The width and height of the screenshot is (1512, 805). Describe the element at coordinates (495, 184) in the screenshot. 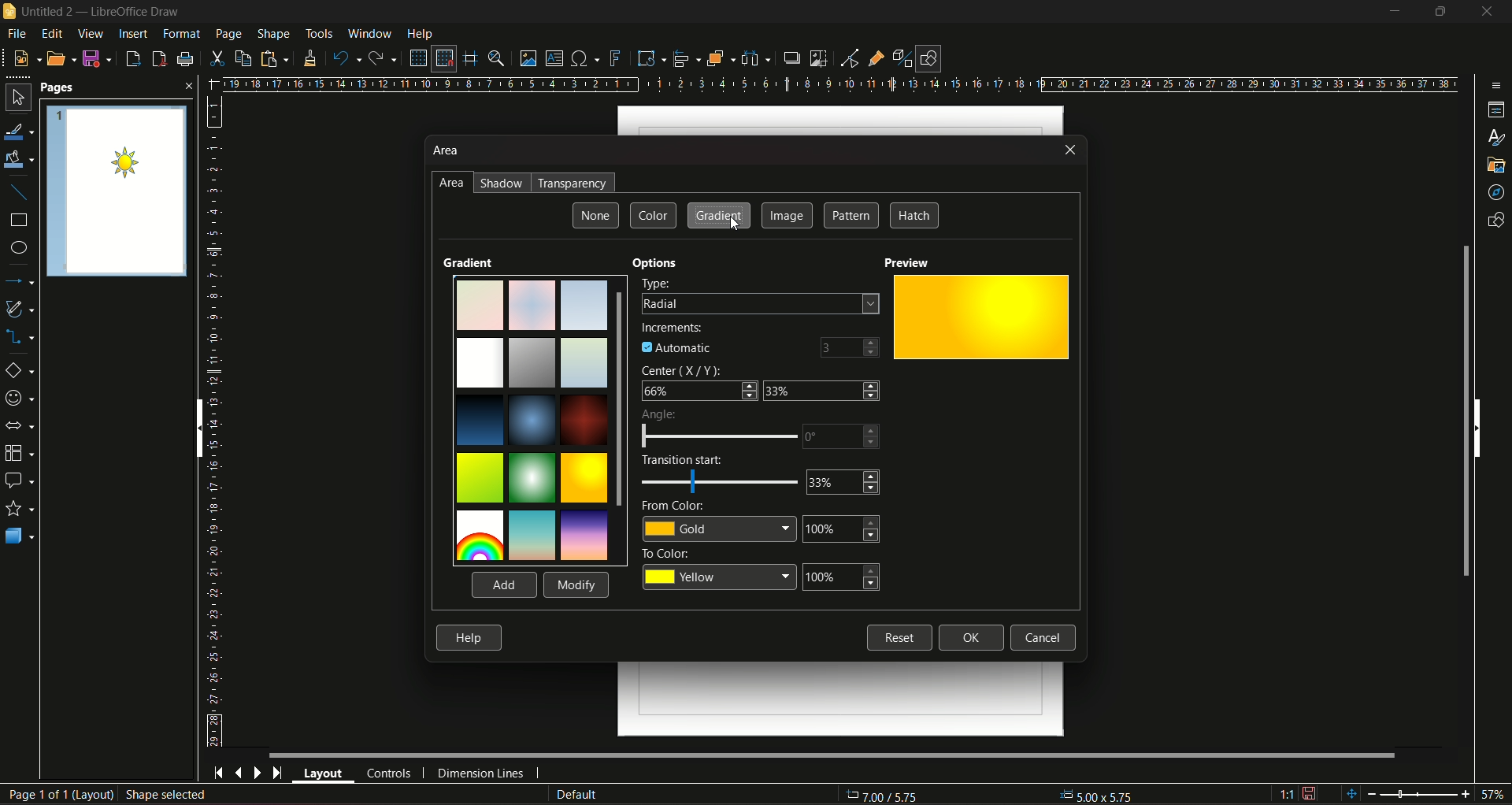

I see `shadow` at that location.